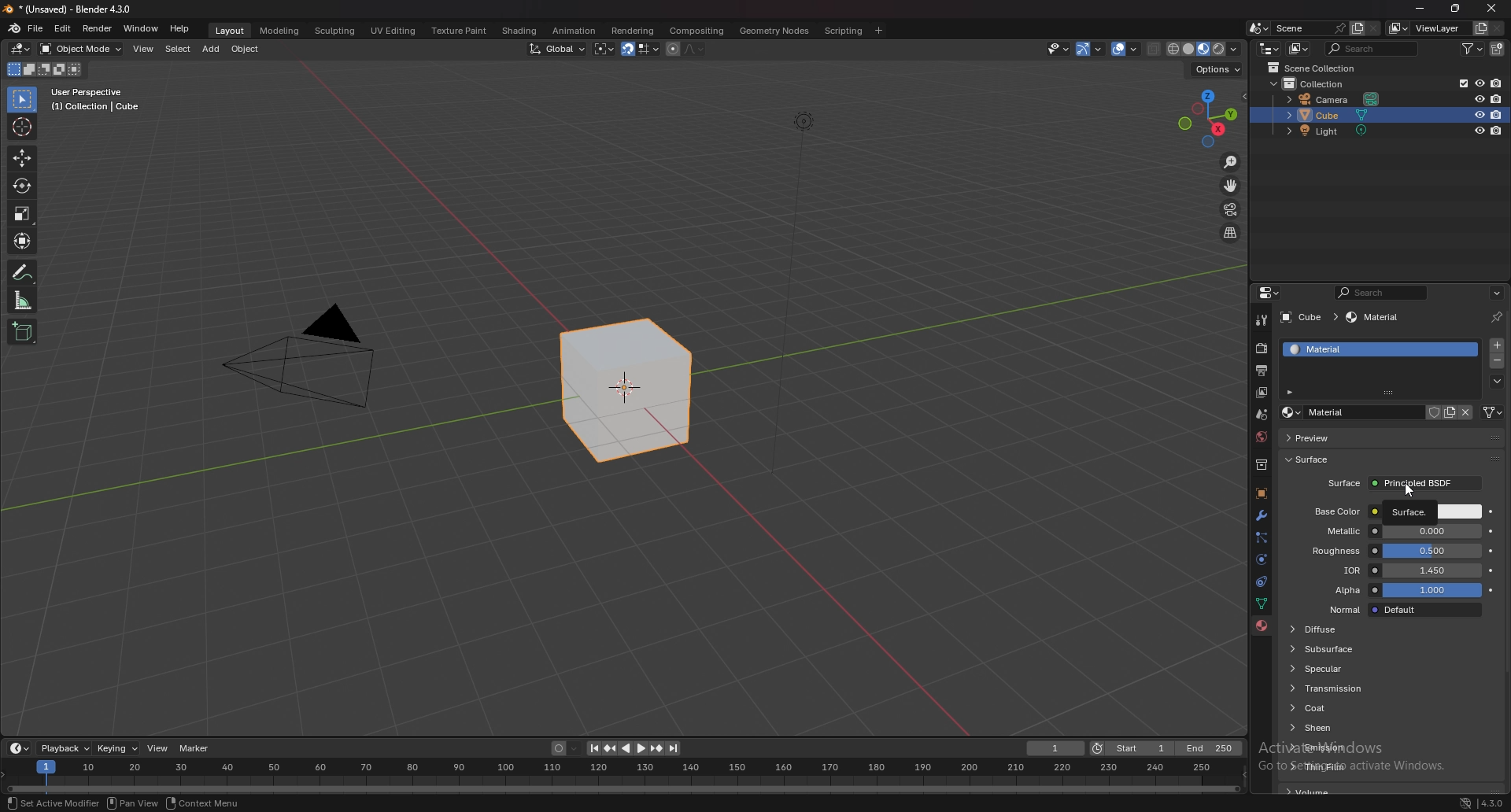 This screenshot has height=812, width=1511. What do you see at coordinates (1059, 49) in the screenshot?
I see `selectibility and visibility` at bounding box center [1059, 49].